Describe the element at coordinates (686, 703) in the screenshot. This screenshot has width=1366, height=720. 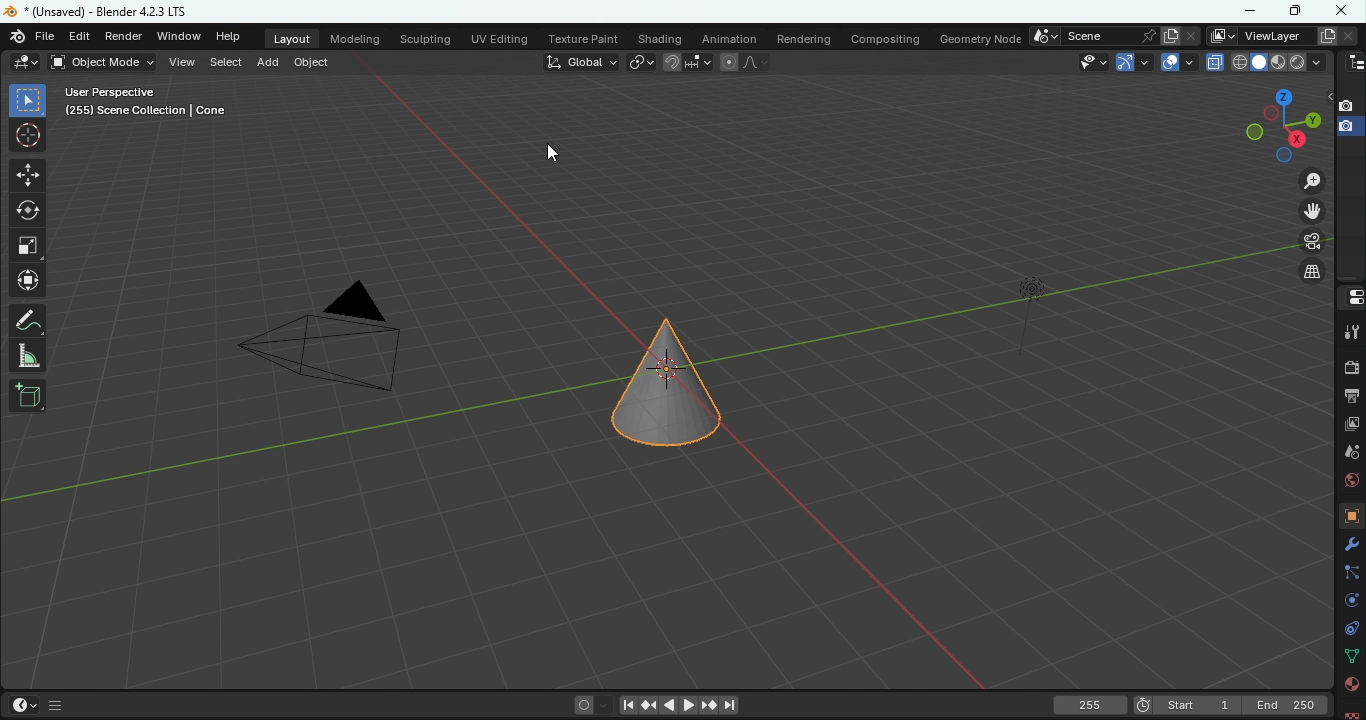
I see `Play animation` at that location.